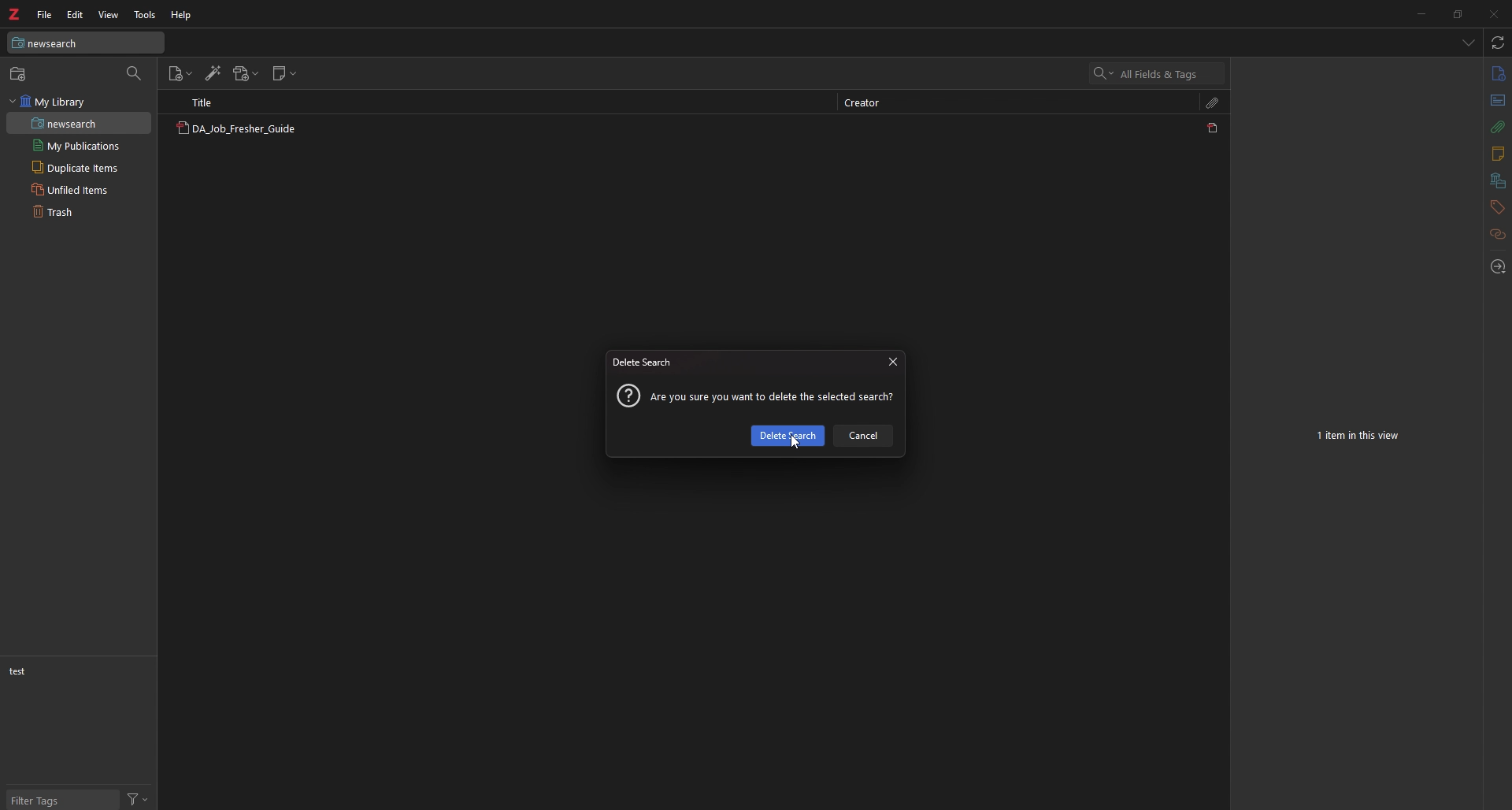 This screenshot has height=810, width=1512. Describe the element at coordinates (1499, 43) in the screenshot. I see `sync with zotero.org` at that location.